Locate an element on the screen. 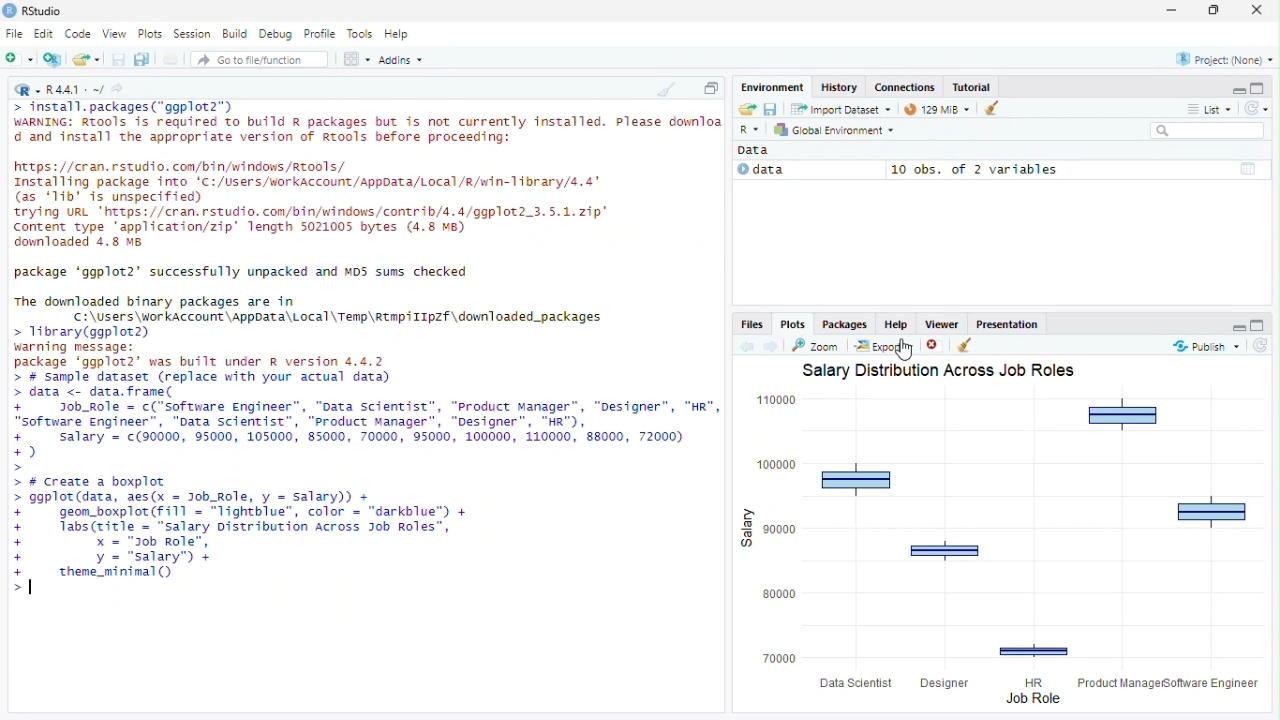 The width and height of the screenshot is (1280, 720). Close is located at coordinates (1260, 10).